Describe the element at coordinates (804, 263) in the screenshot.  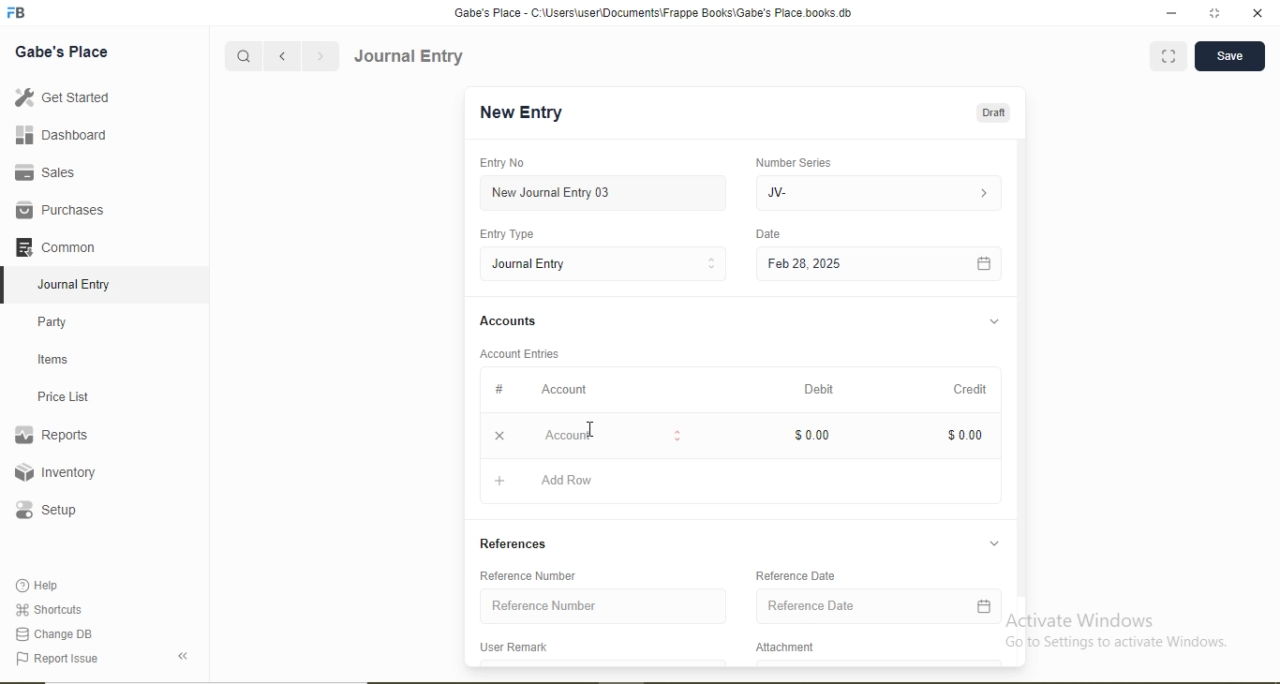
I see `Feb 28, 2025` at that location.